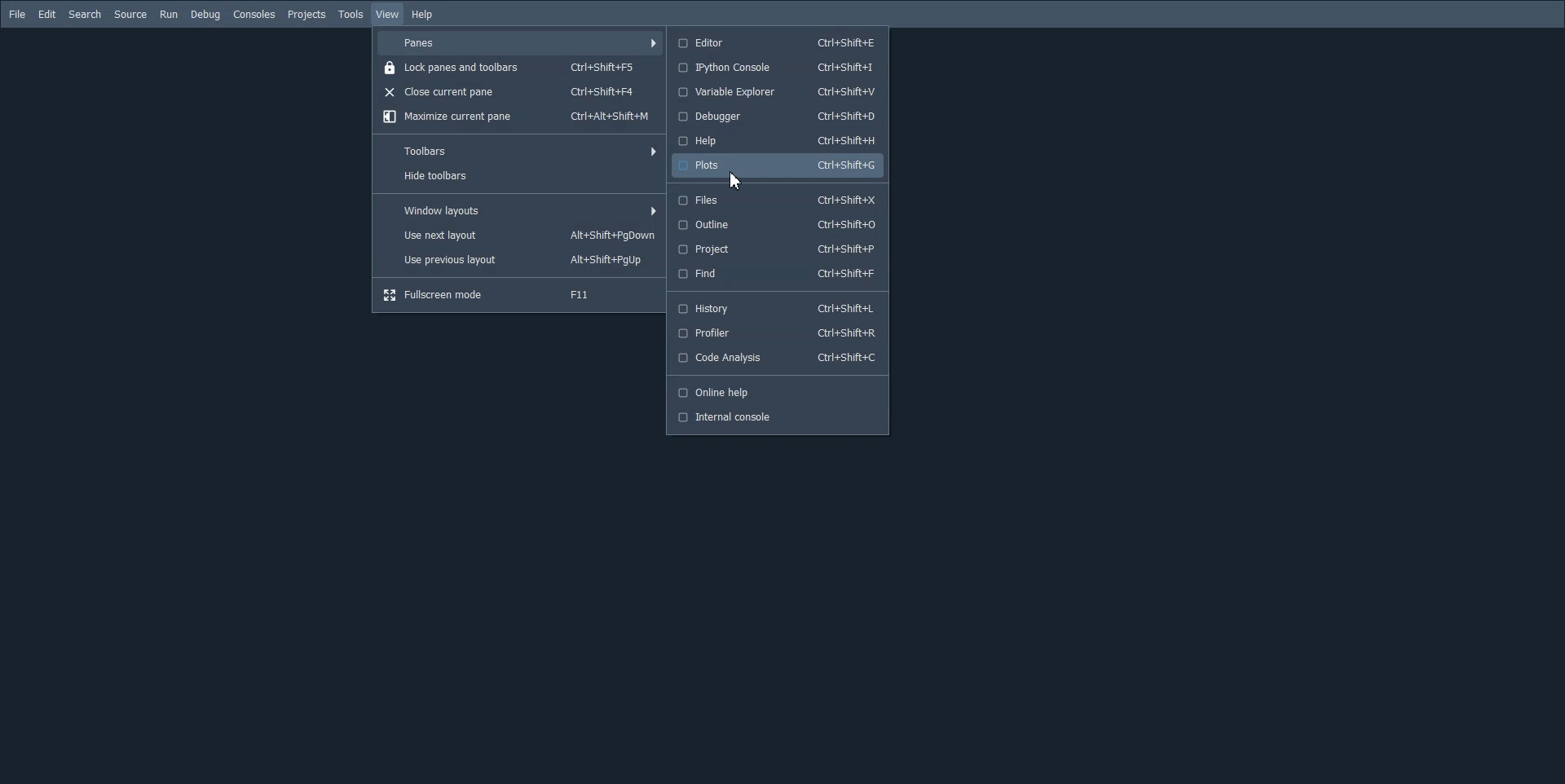  Describe the element at coordinates (779, 249) in the screenshot. I see `Project` at that location.